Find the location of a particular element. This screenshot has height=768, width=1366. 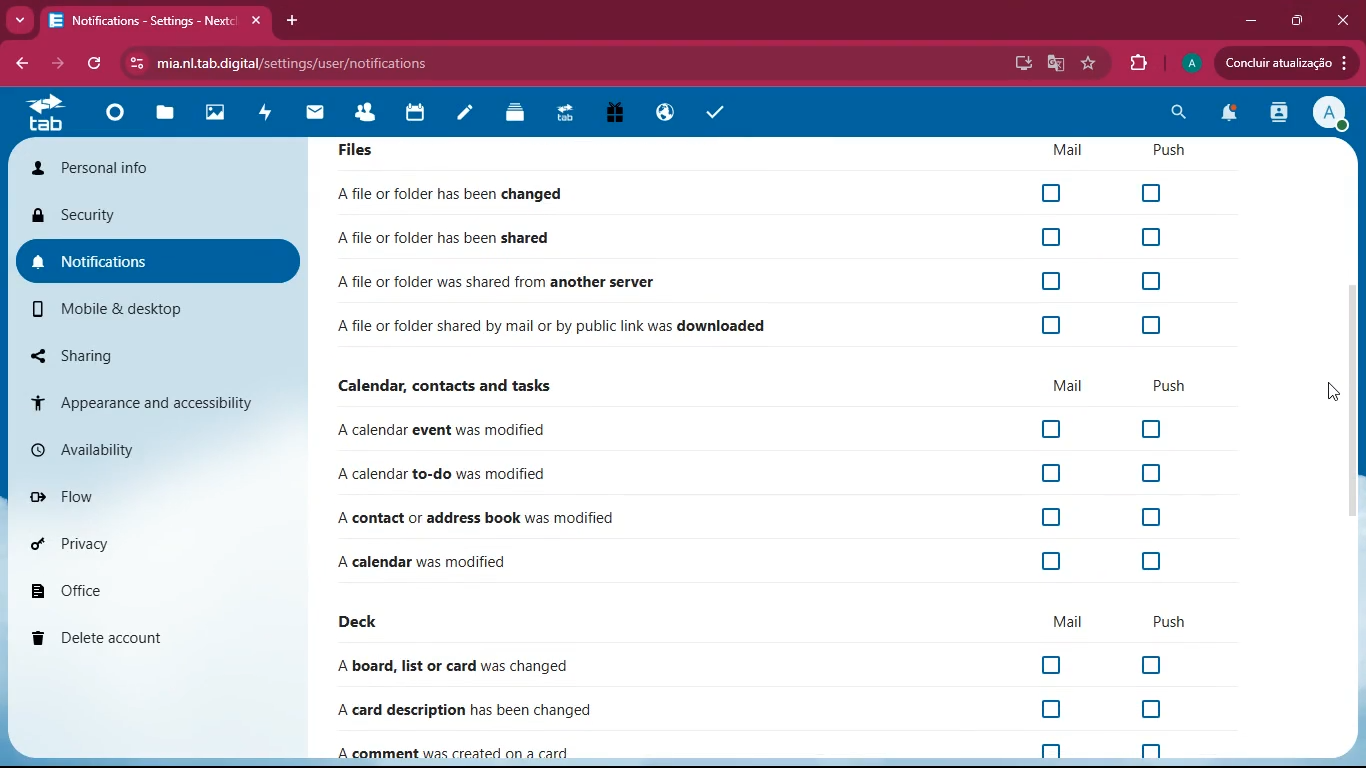

file downloaded is located at coordinates (558, 326).